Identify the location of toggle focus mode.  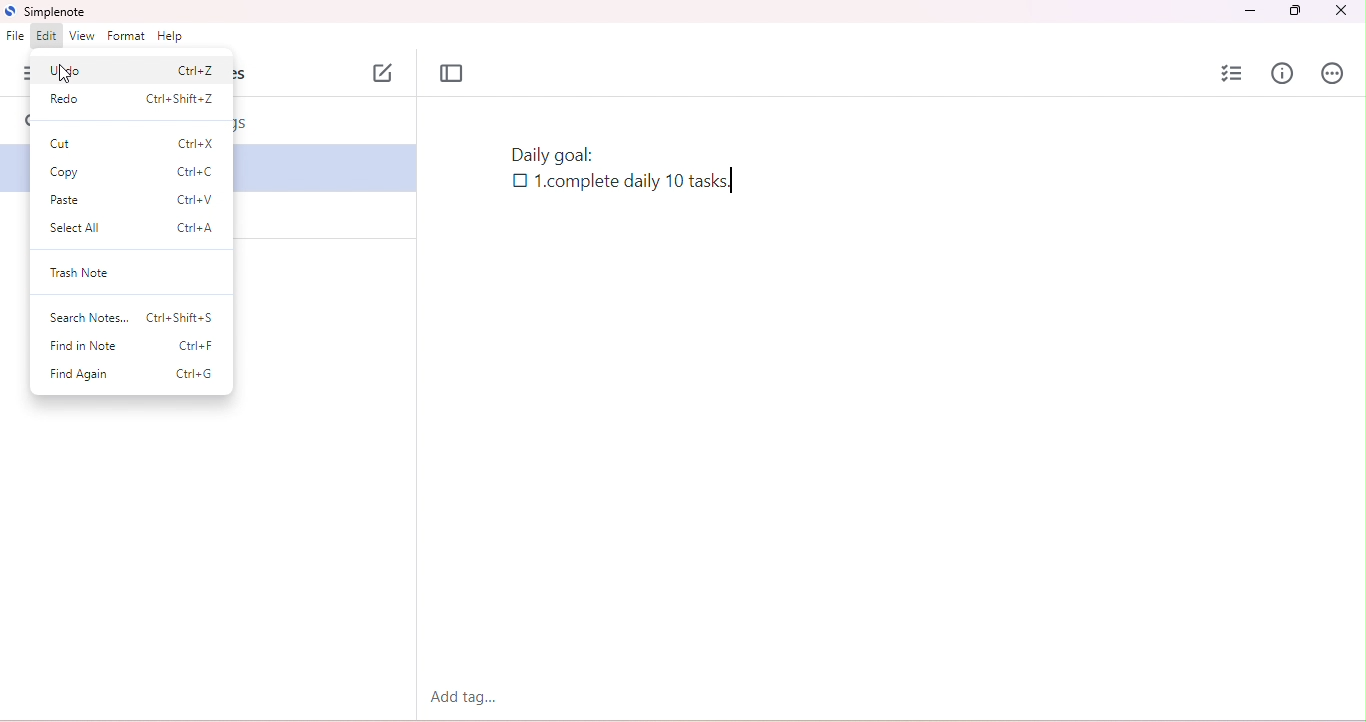
(452, 74).